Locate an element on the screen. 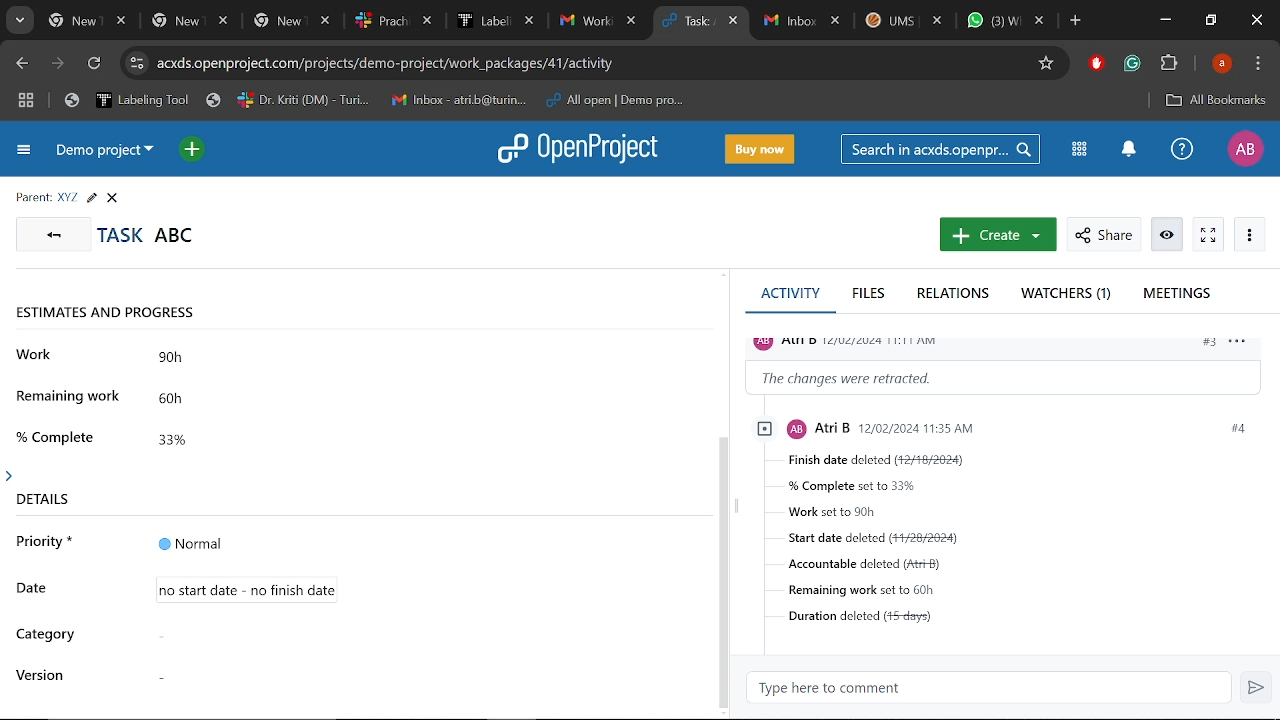 This screenshot has height=720, width=1280. Bookmarked tabs is located at coordinates (378, 101).